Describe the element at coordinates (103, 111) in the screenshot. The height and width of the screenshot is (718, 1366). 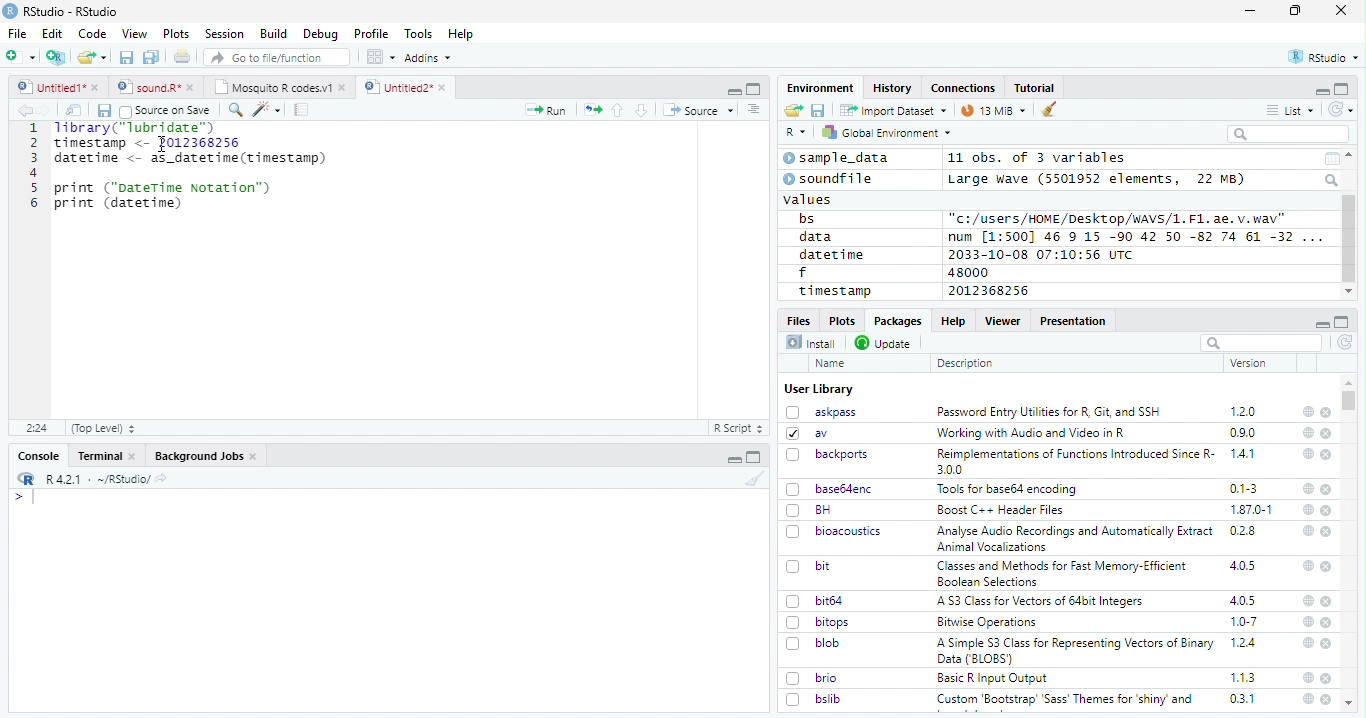
I see `Save` at that location.